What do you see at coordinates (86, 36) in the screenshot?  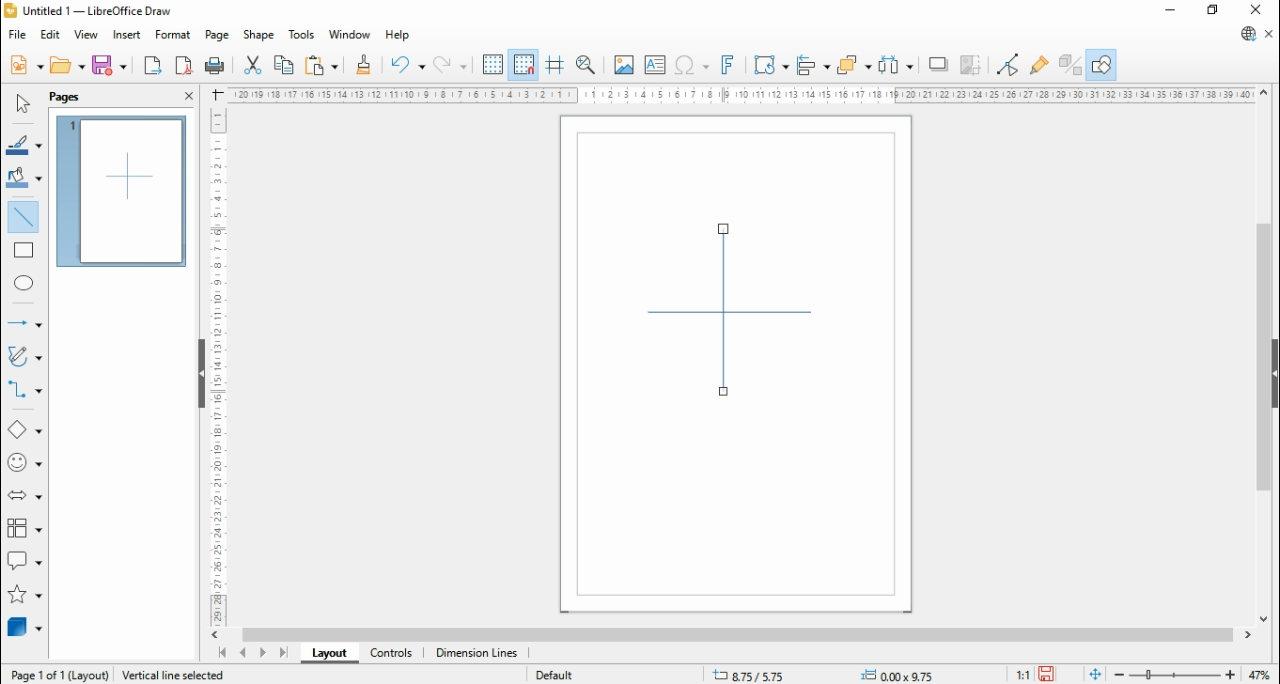 I see `view` at bounding box center [86, 36].